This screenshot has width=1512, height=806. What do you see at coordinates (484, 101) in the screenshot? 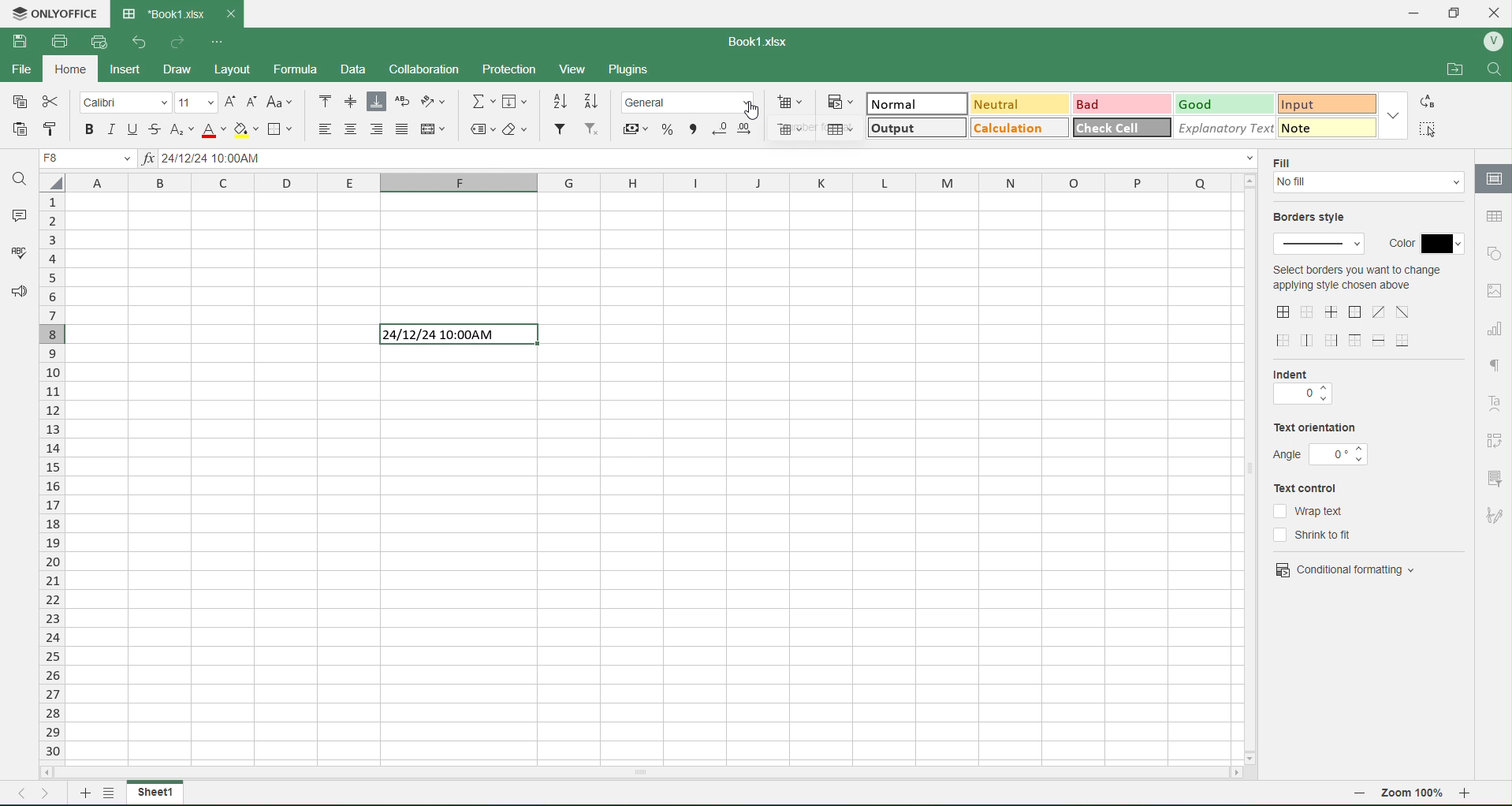
I see `Summation` at bounding box center [484, 101].